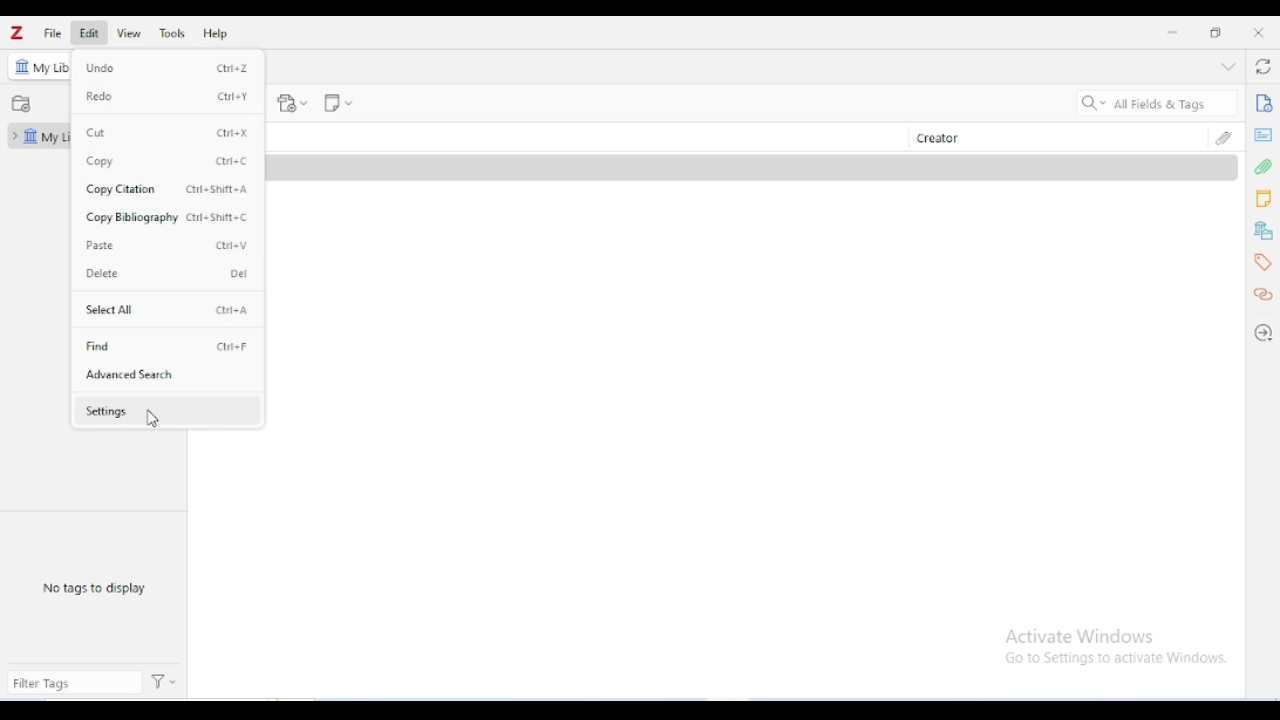 This screenshot has width=1280, height=720. I want to click on advanced search, so click(130, 374).